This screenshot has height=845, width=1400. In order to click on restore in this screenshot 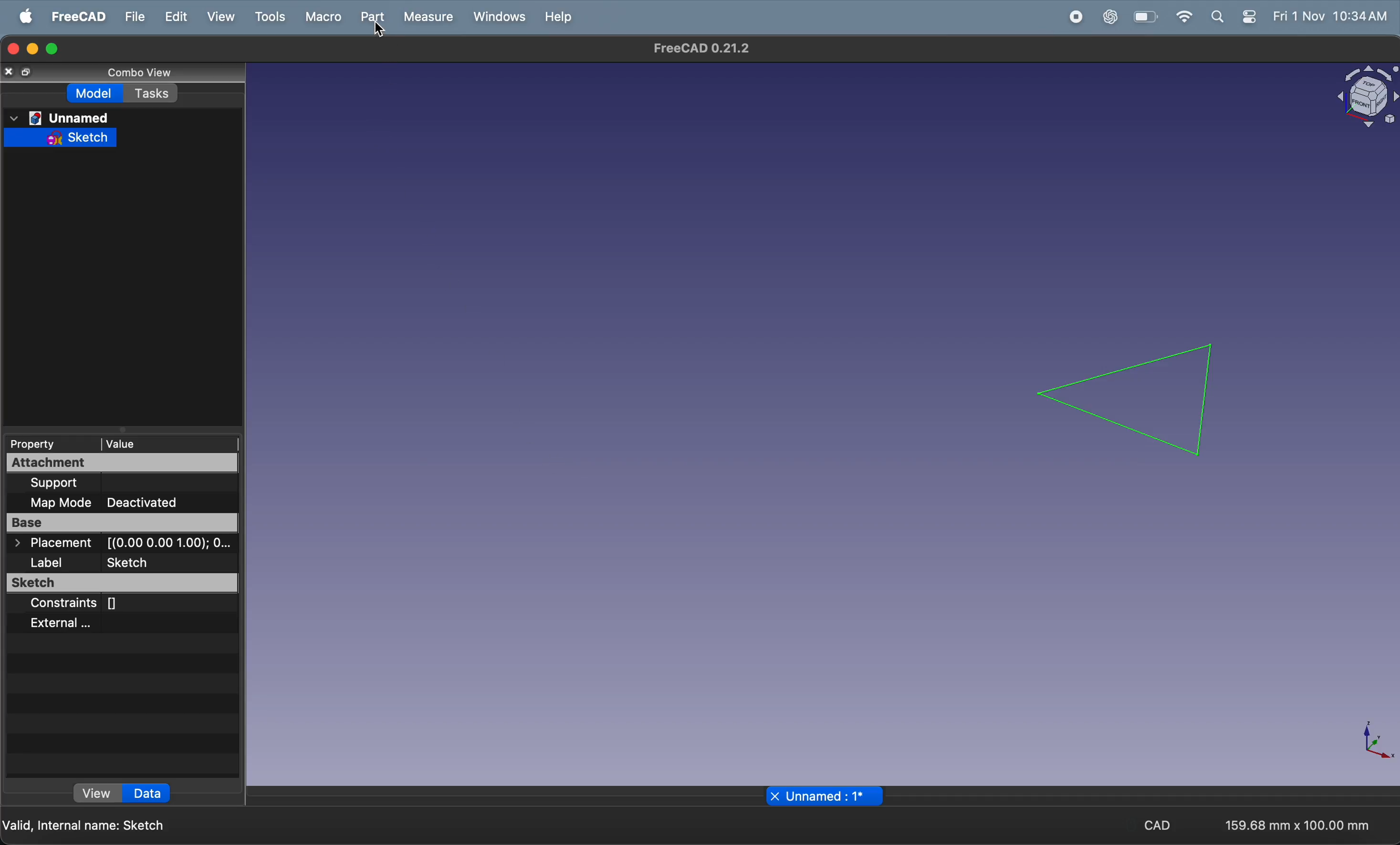, I will do `click(29, 73)`.